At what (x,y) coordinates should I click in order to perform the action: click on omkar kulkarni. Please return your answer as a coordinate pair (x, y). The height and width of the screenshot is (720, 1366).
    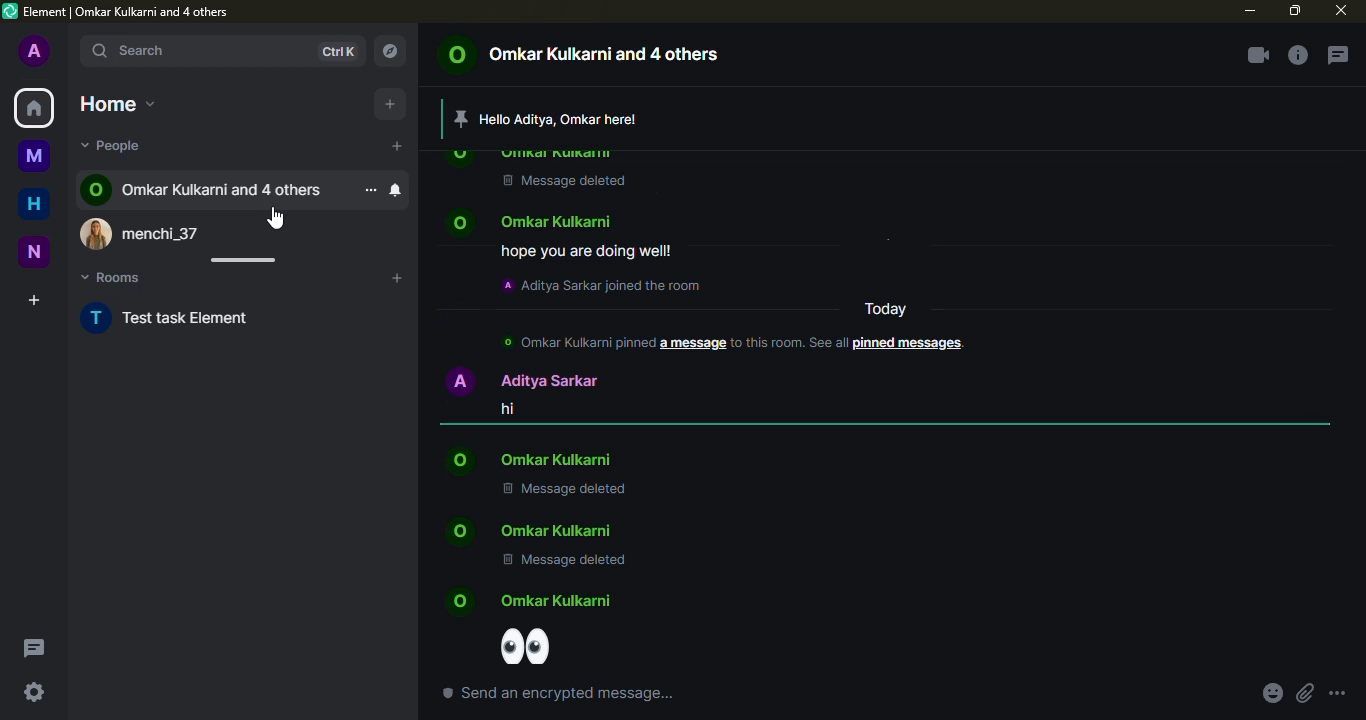
    Looking at the image, I should click on (531, 530).